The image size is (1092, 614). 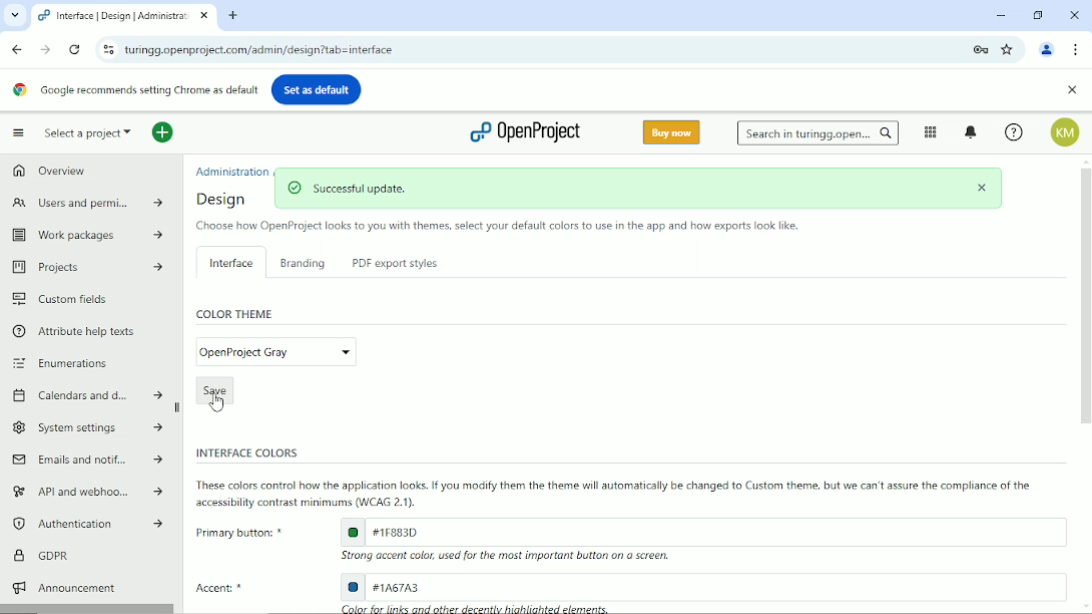 What do you see at coordinates (17, 48) in the screenshot?
I see `Back` at bounding box center [17, 48].